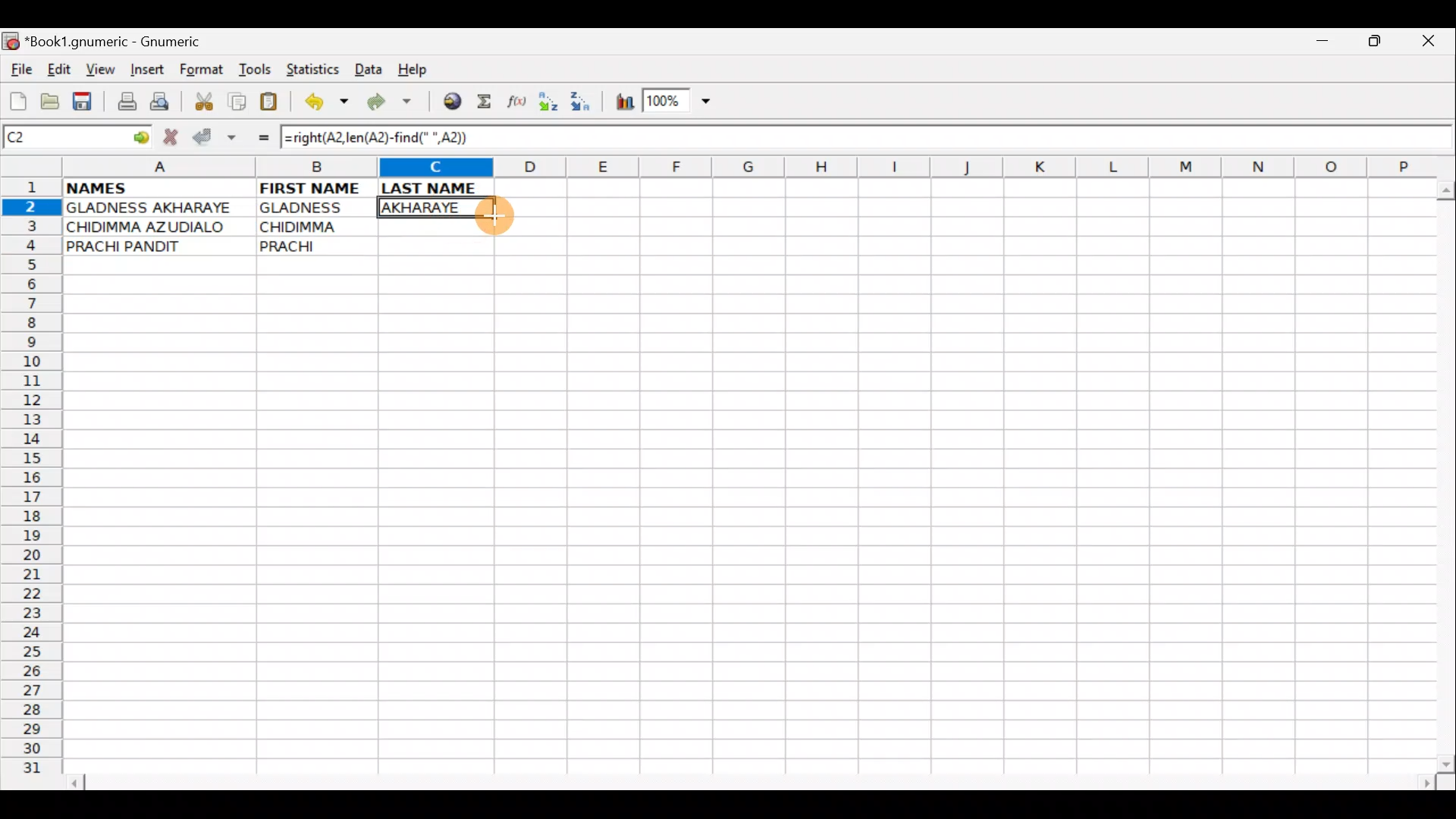  I want to click on CHIDIMMA, so click(317, 225).